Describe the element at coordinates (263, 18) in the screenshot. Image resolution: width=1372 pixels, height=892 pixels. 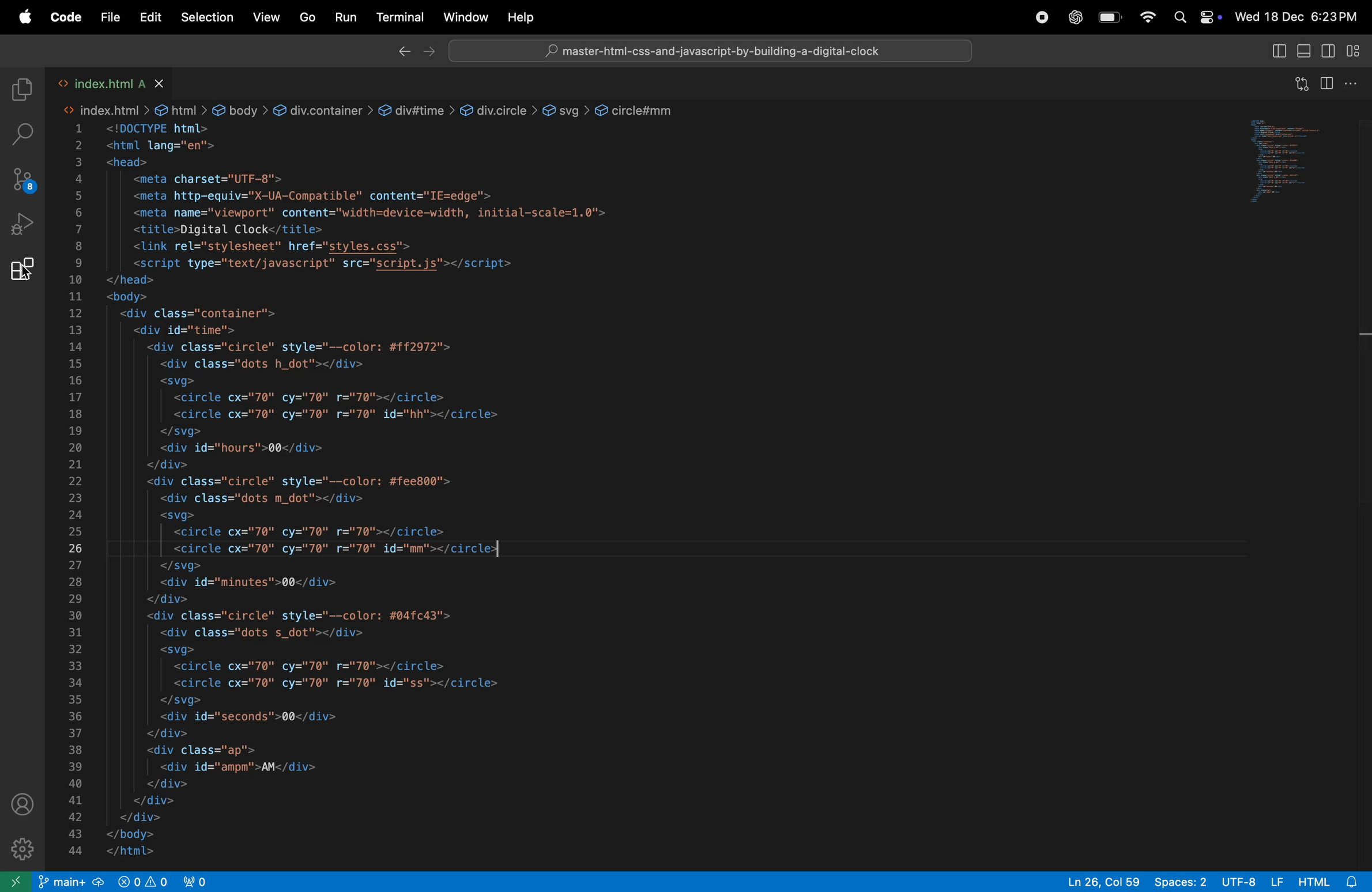
I see `view` at that location.